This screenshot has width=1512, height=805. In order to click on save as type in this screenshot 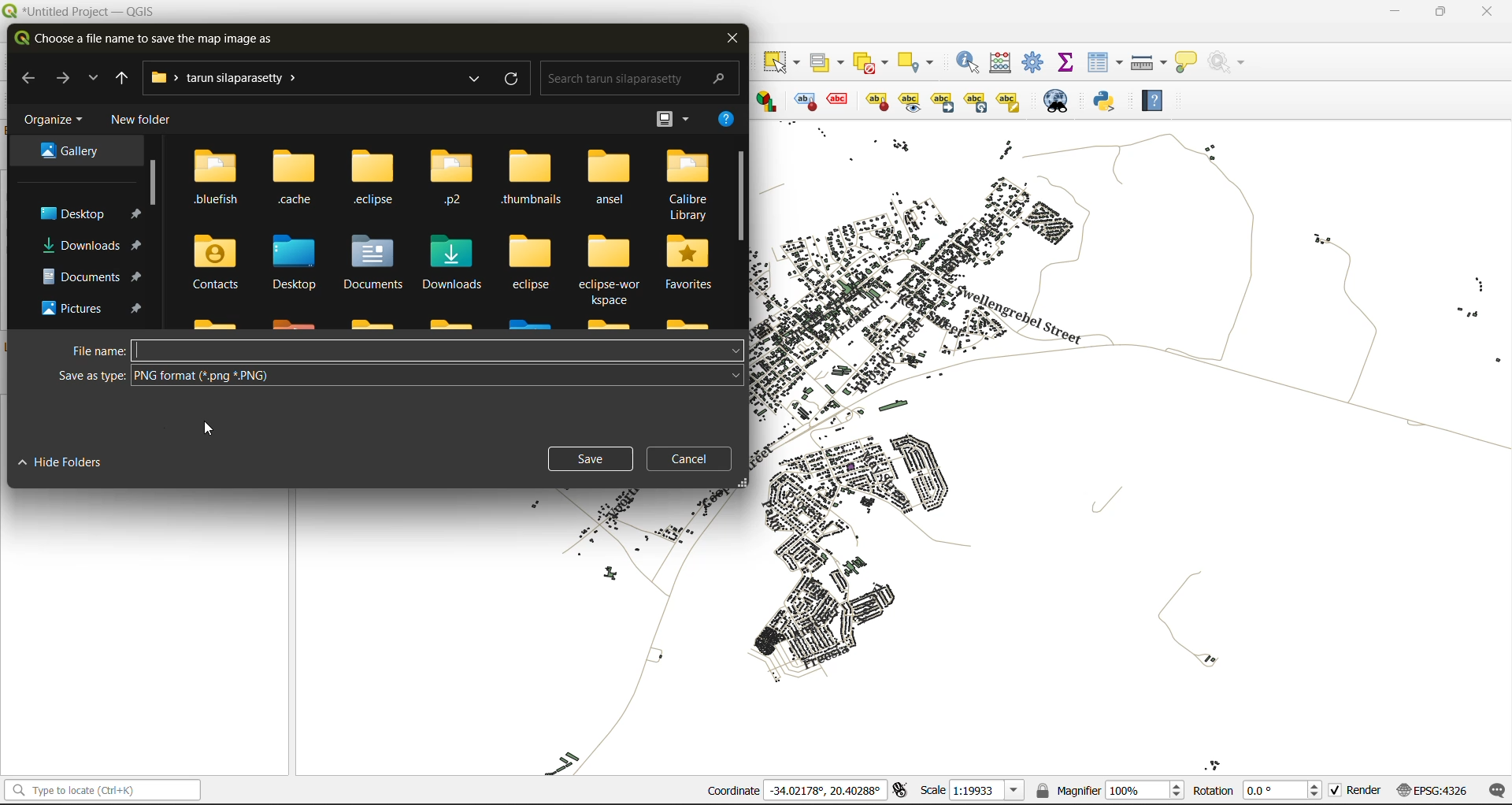, I will do `click(398, 377)`.